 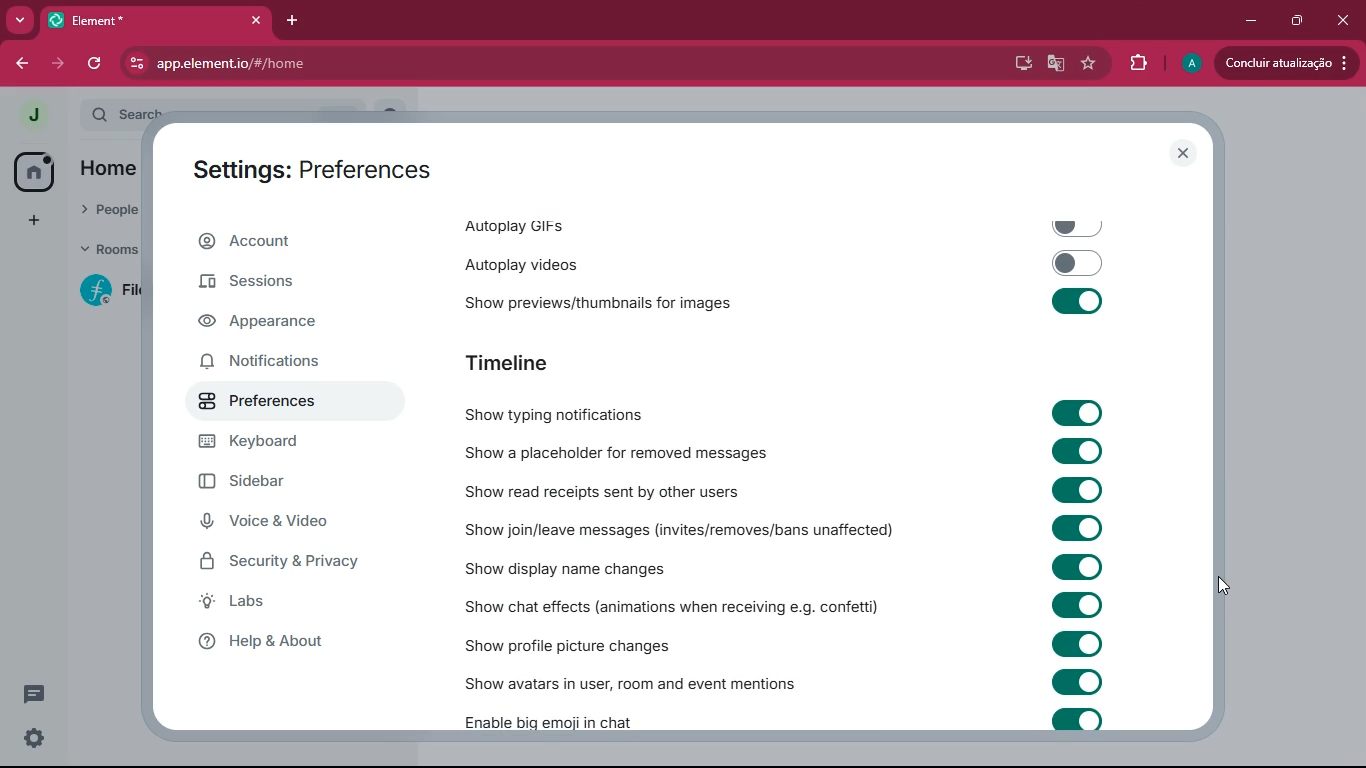 I want to click on autoplay gifs, so click(x=797, y=223).